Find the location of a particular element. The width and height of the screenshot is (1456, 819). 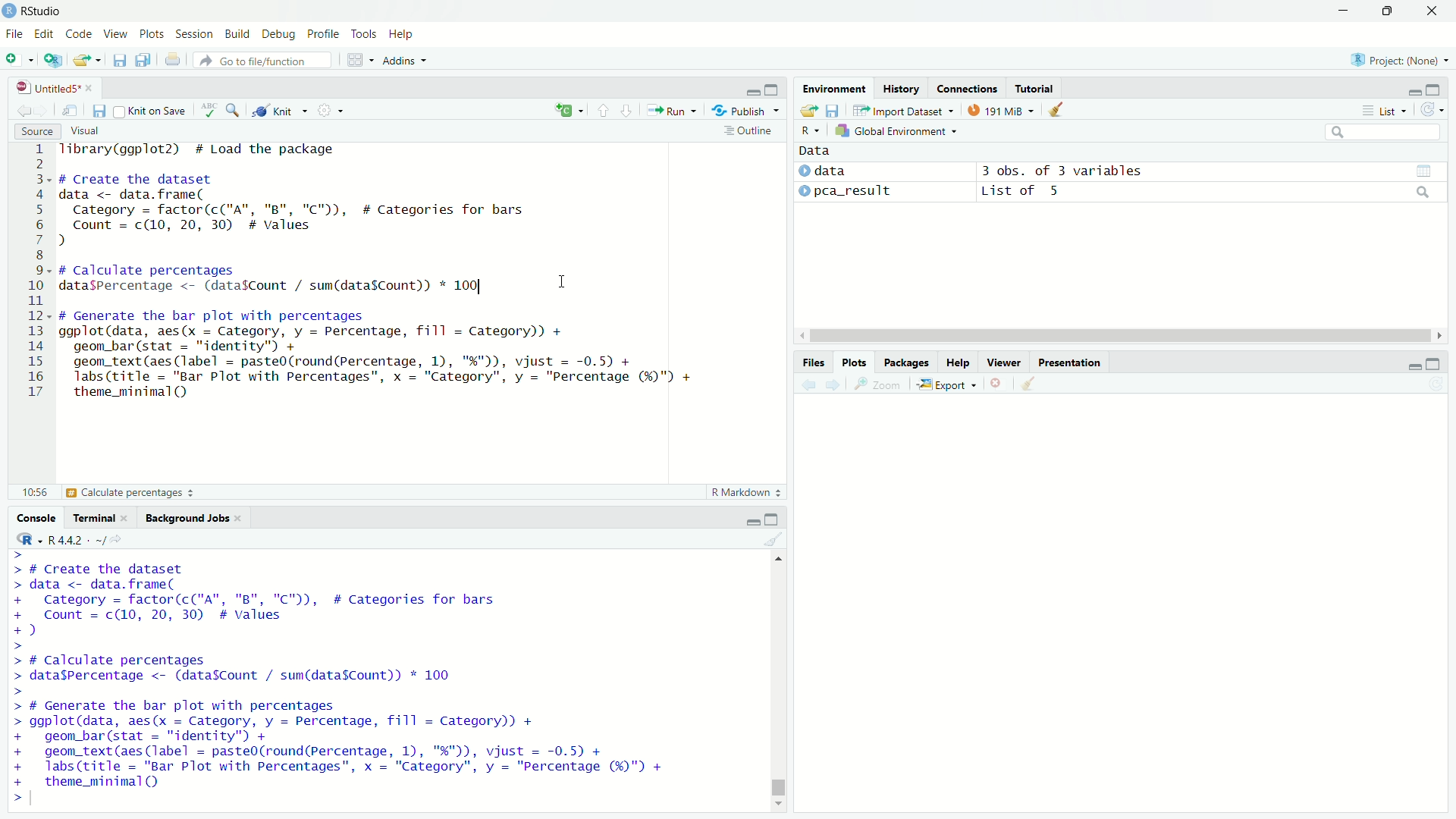

list view is located at coordinates (1383, 111).